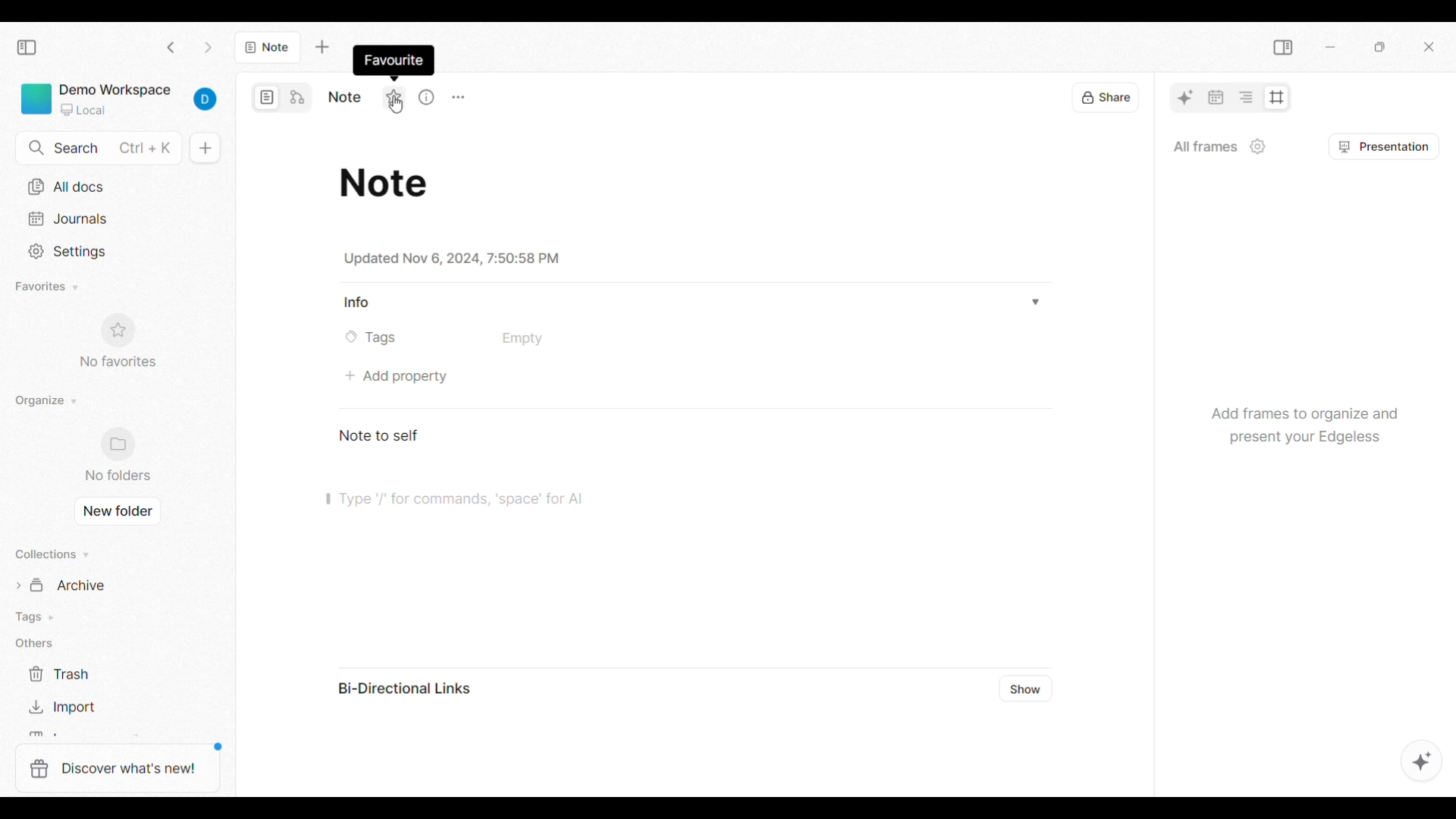 Image resolution: width=1456 pixels, height=819 pixels. What do you see at coordinates (322, 47) in the screenshot?
I see `Add new tab` at bounding box center [322, 47].